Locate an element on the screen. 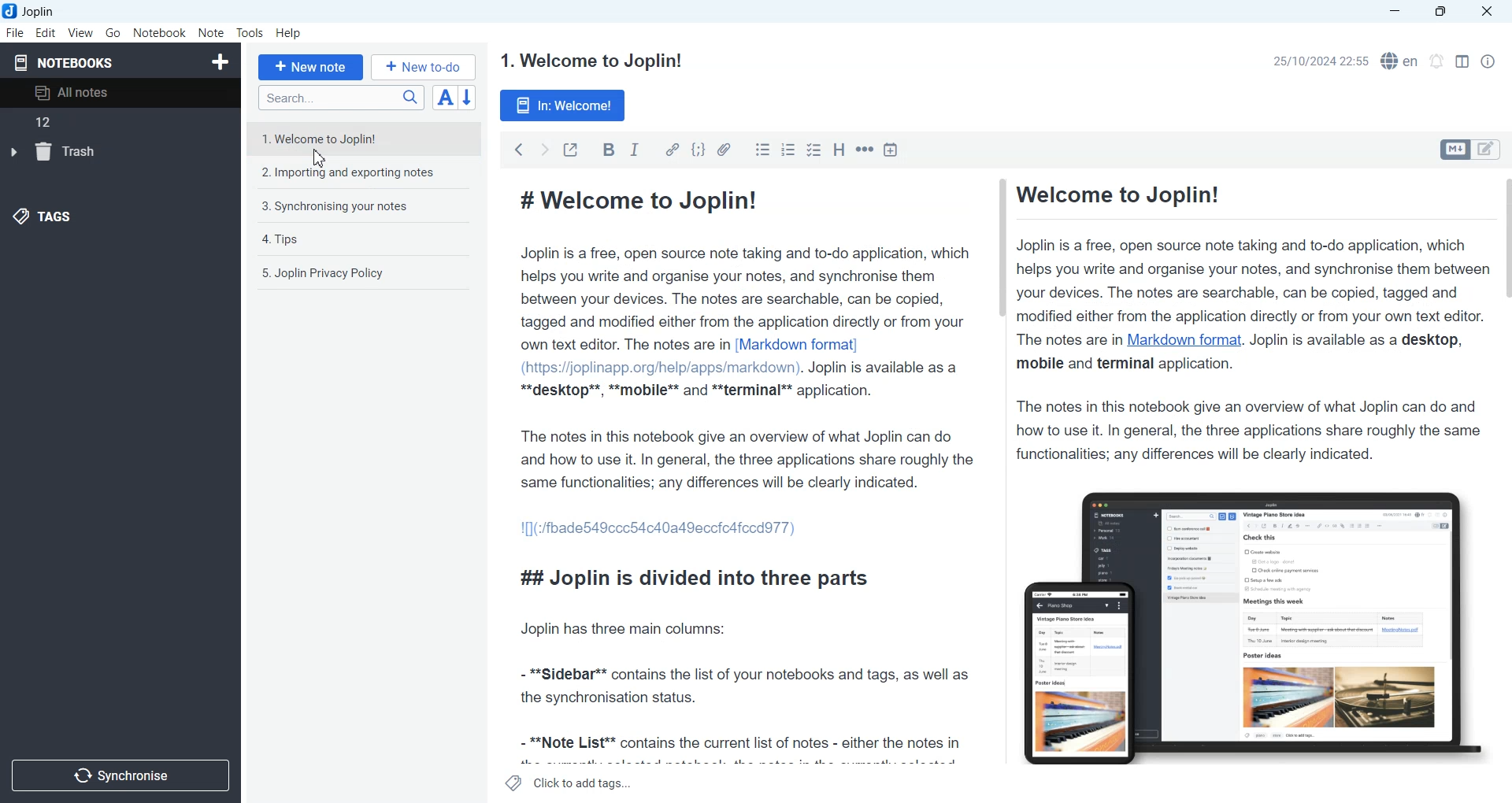 Image resolution: width=1512 pixels, height=803 pixels. In: Welcome! is located at coordinates (563, 105).